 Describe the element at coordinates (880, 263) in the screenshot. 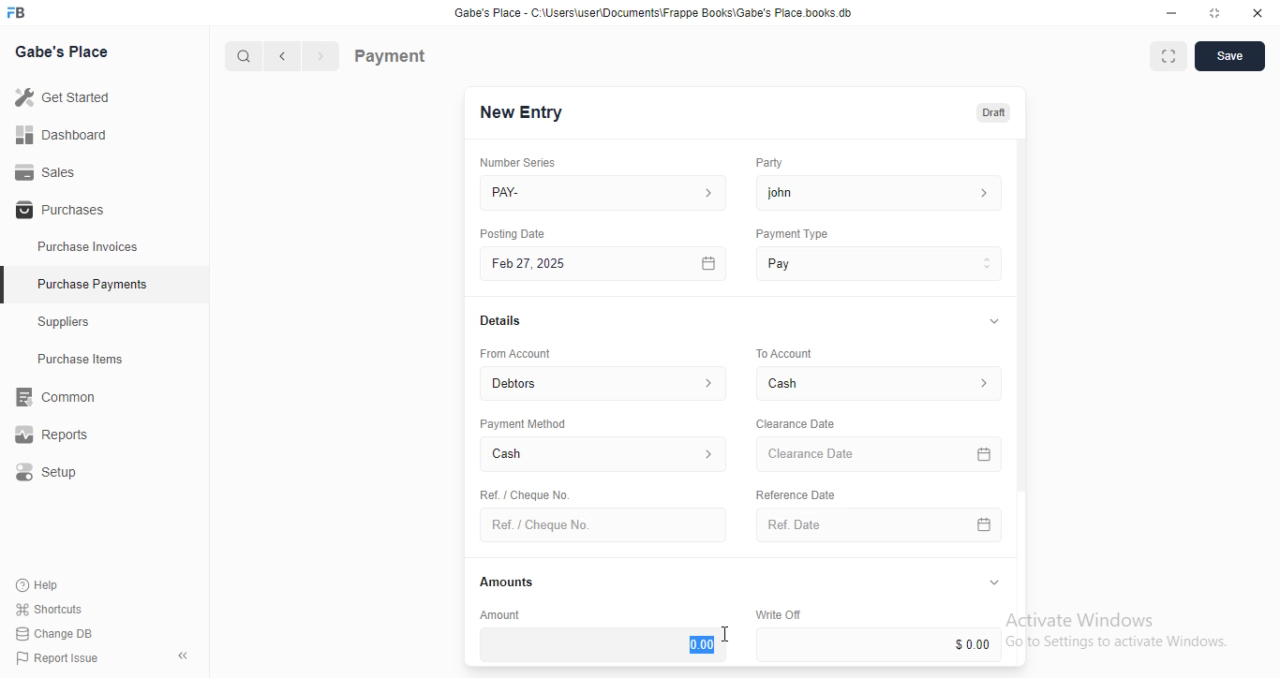

I see `Pay` at that location.